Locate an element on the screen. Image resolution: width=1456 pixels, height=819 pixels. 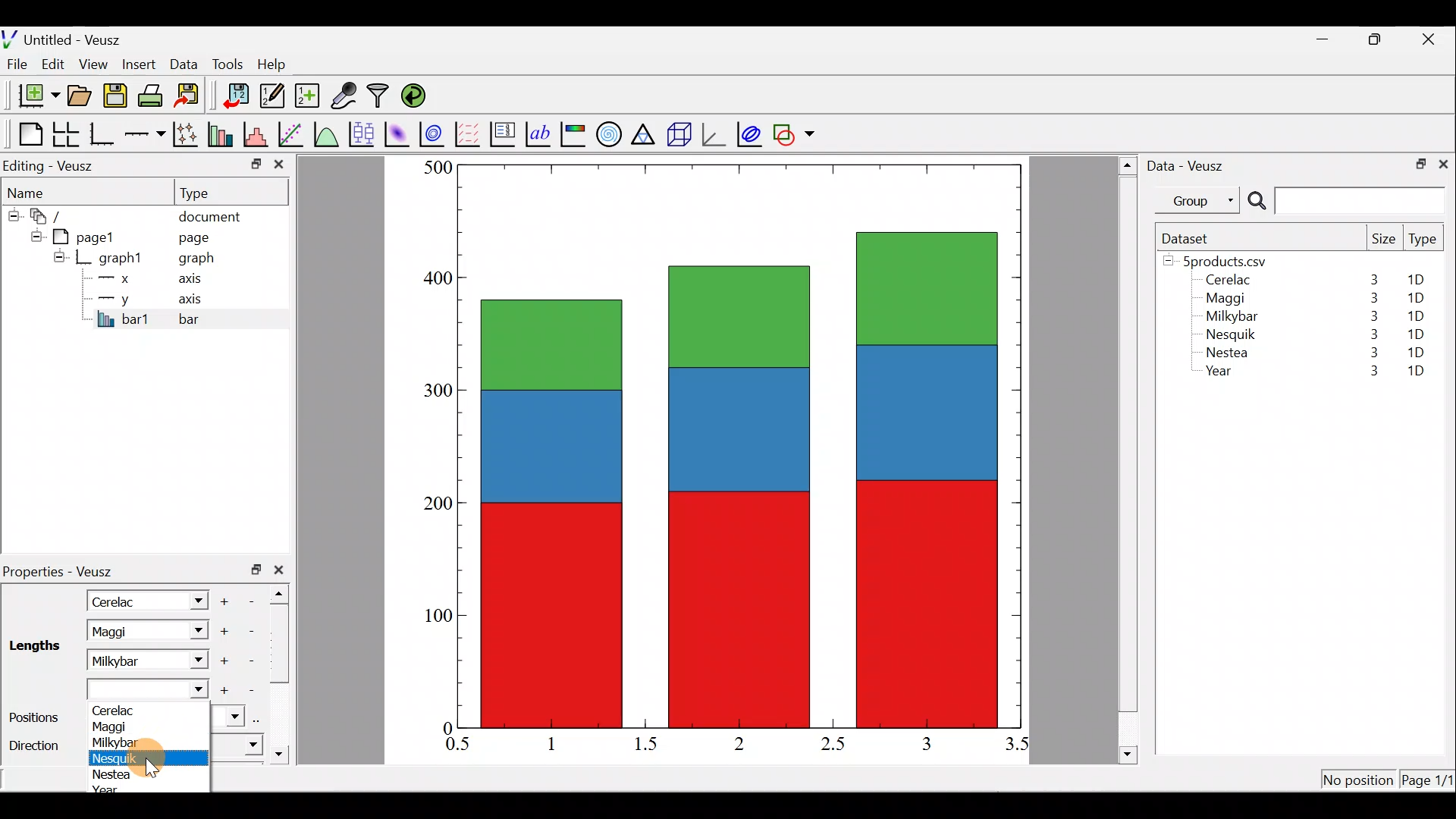
View is located at coordinates (96, 61).